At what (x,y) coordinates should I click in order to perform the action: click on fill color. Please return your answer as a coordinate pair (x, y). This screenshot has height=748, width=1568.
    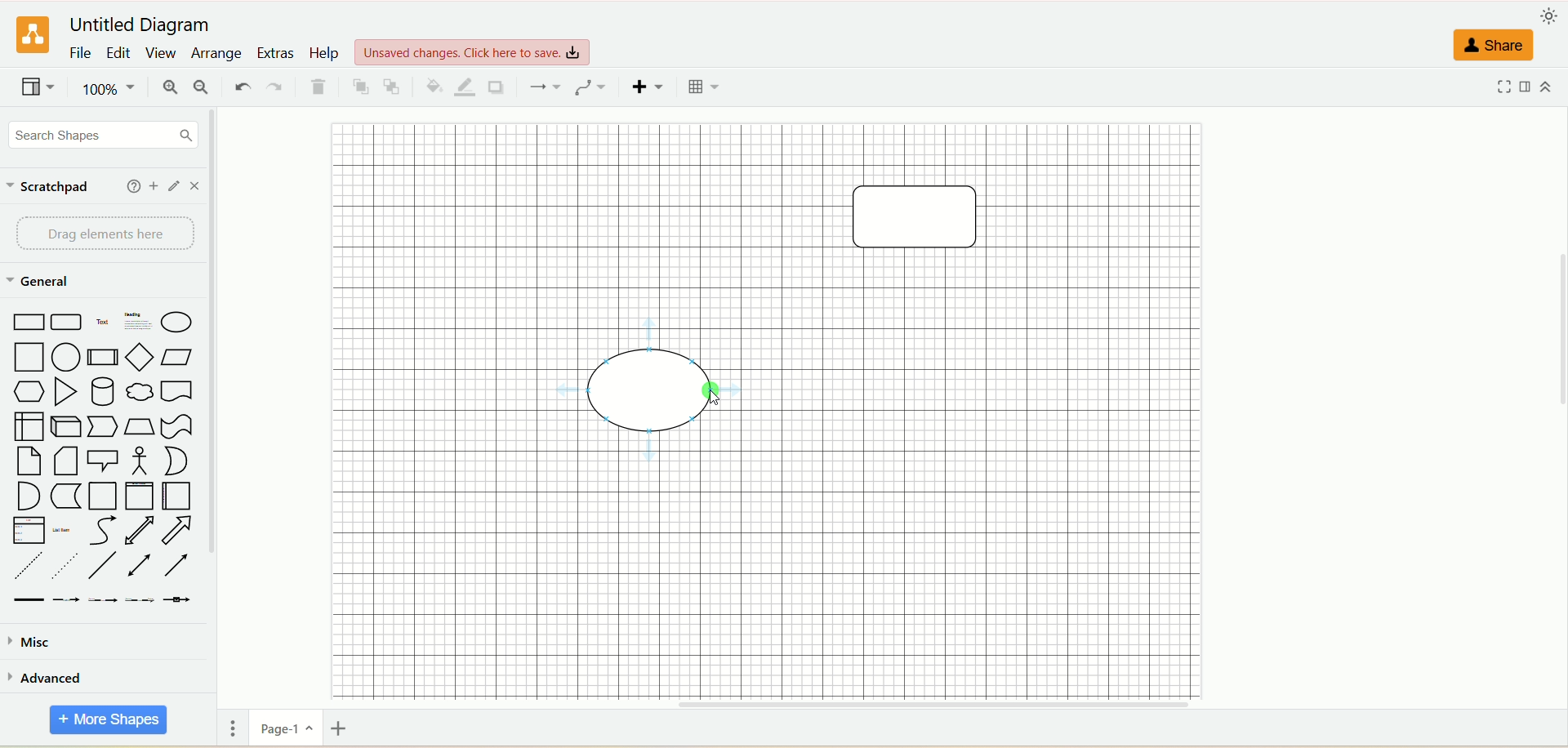
    Looking at the image, I should click on (430, 87).